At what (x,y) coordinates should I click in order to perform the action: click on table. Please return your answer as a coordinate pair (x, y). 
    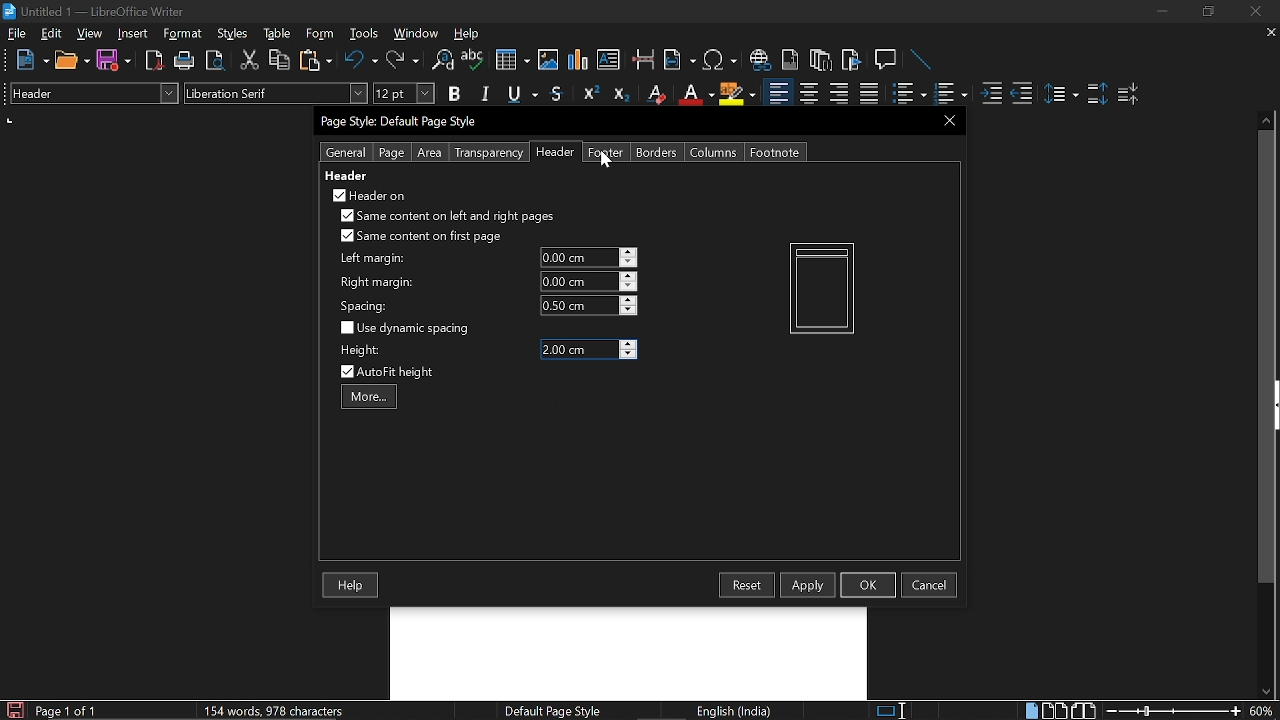
    Looking at the image, I should click on (278, 34).